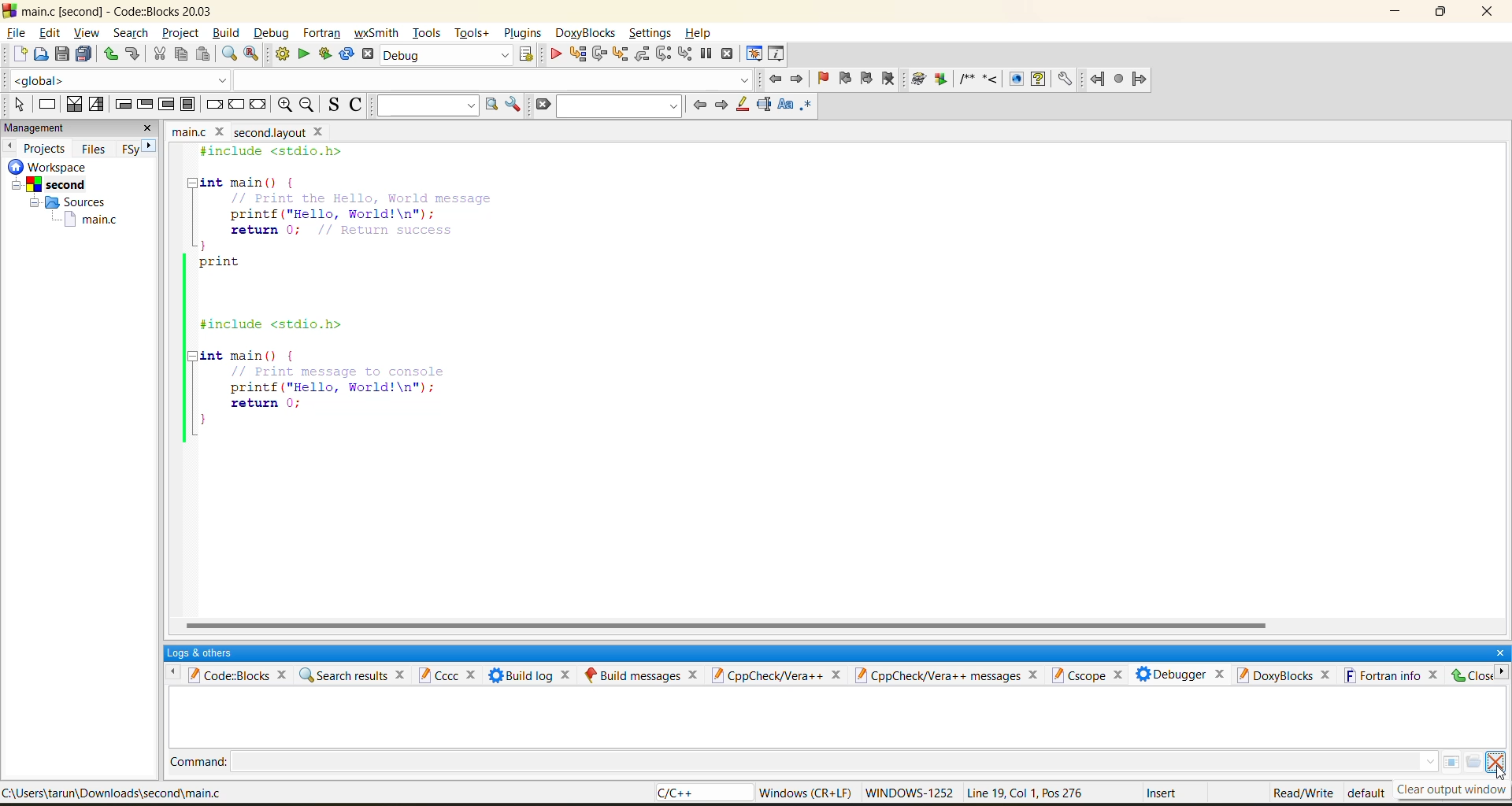 Image resolution: width=1512 pixels, height=806 pixels. What do you see at coordinates (1285, 677) in the screenshot?
I see `doxyblocks` at bounding box center [1285, 677].